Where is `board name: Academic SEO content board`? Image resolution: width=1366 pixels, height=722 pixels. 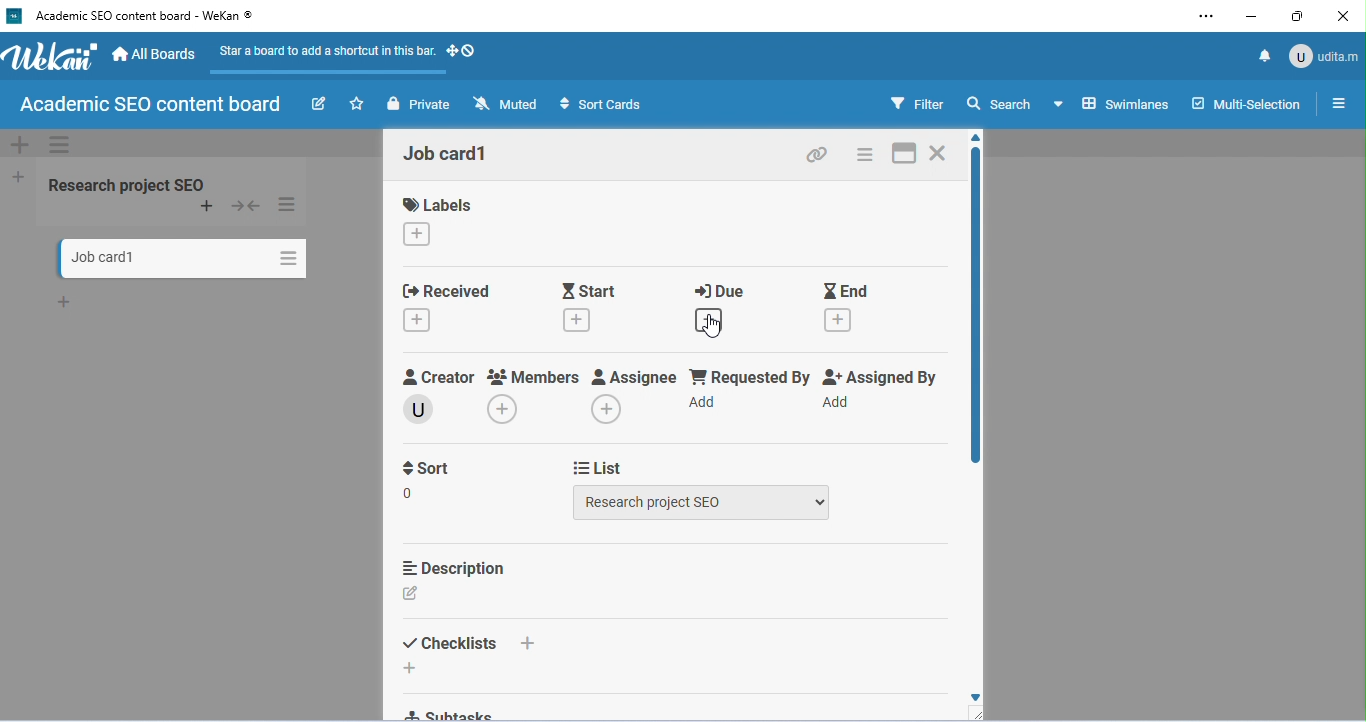 board name: Academic SEO content board is located at coordinates (147, 106).